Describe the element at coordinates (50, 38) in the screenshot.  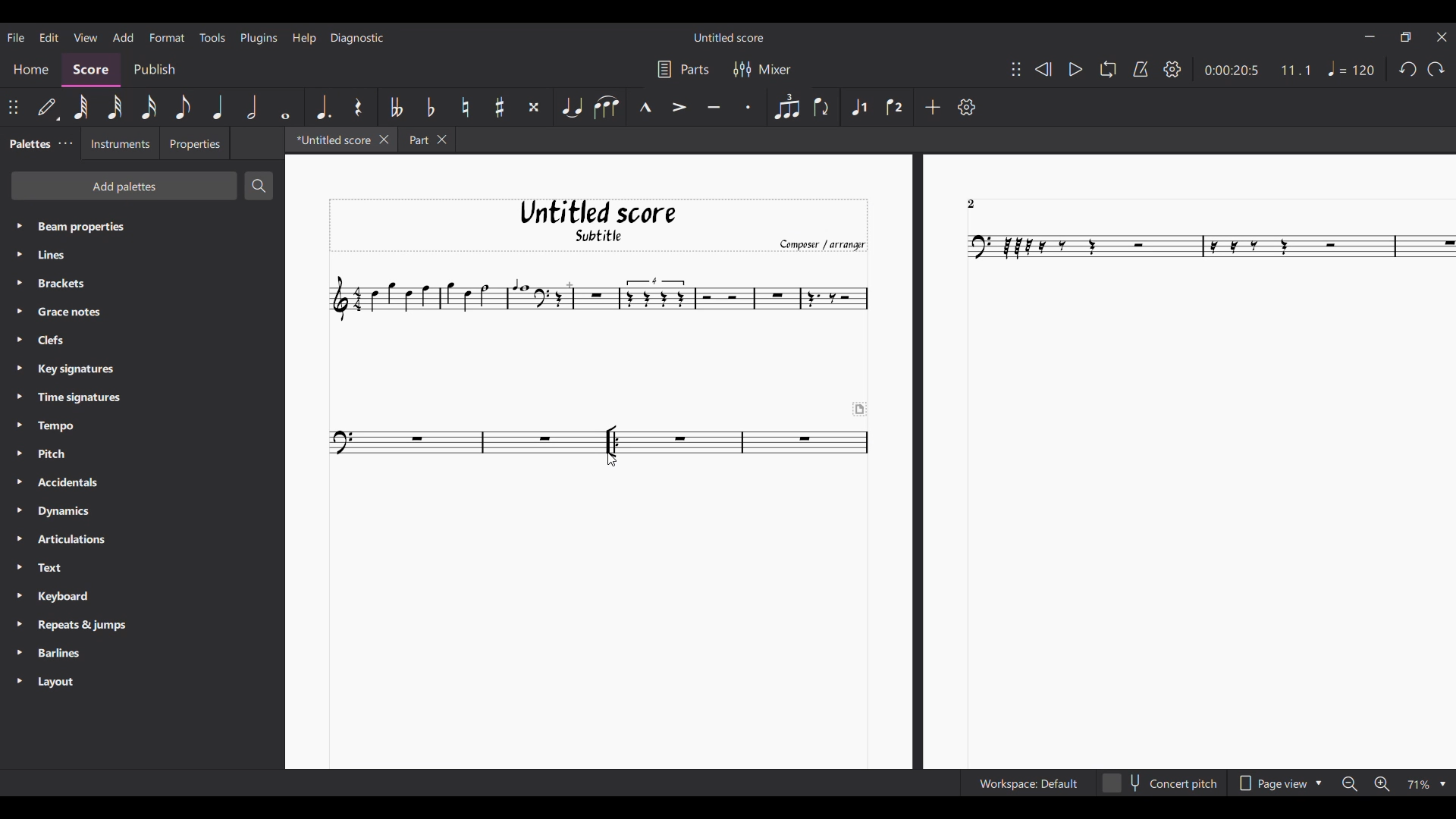
I see `Edit menu` at that location.